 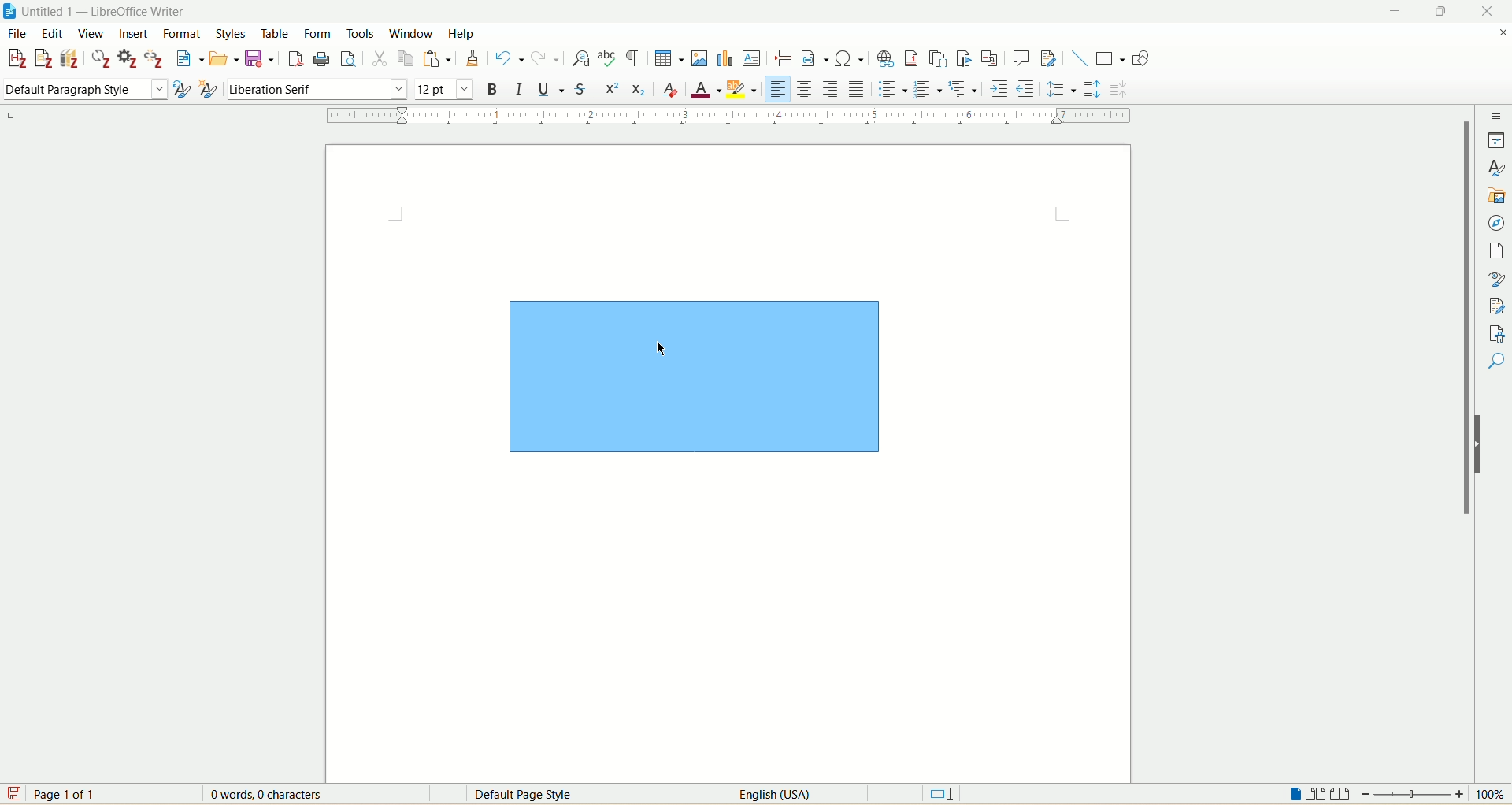 What do you see at coordinates (1499, 307) in the screenshot?
I see `manage changes` at bounding box center [1499, 307].